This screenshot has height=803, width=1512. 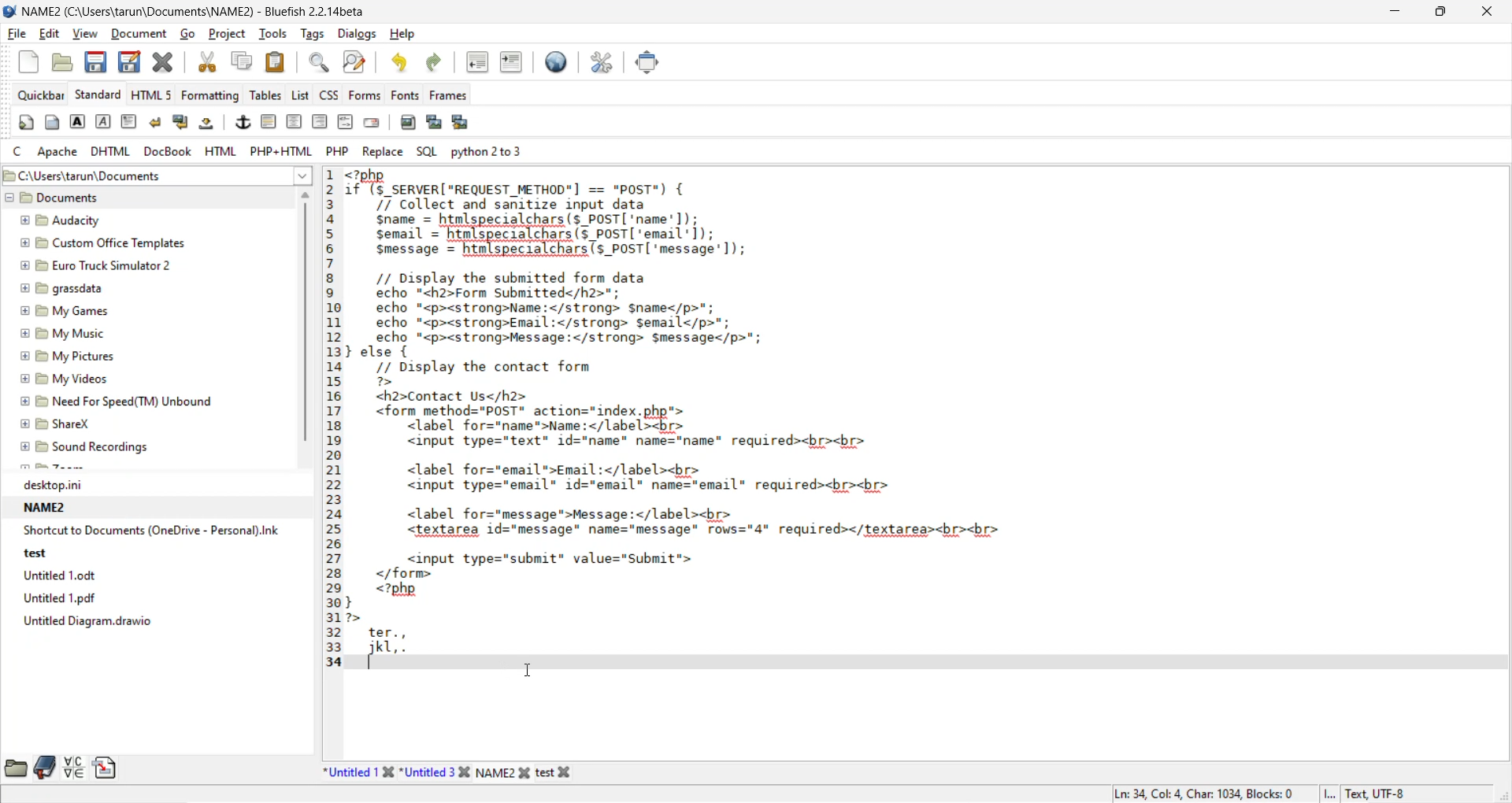 What do you see at coordinates (1436, 14) in the screenshot?
I see `maximize` at bounding box center [1436, 14].